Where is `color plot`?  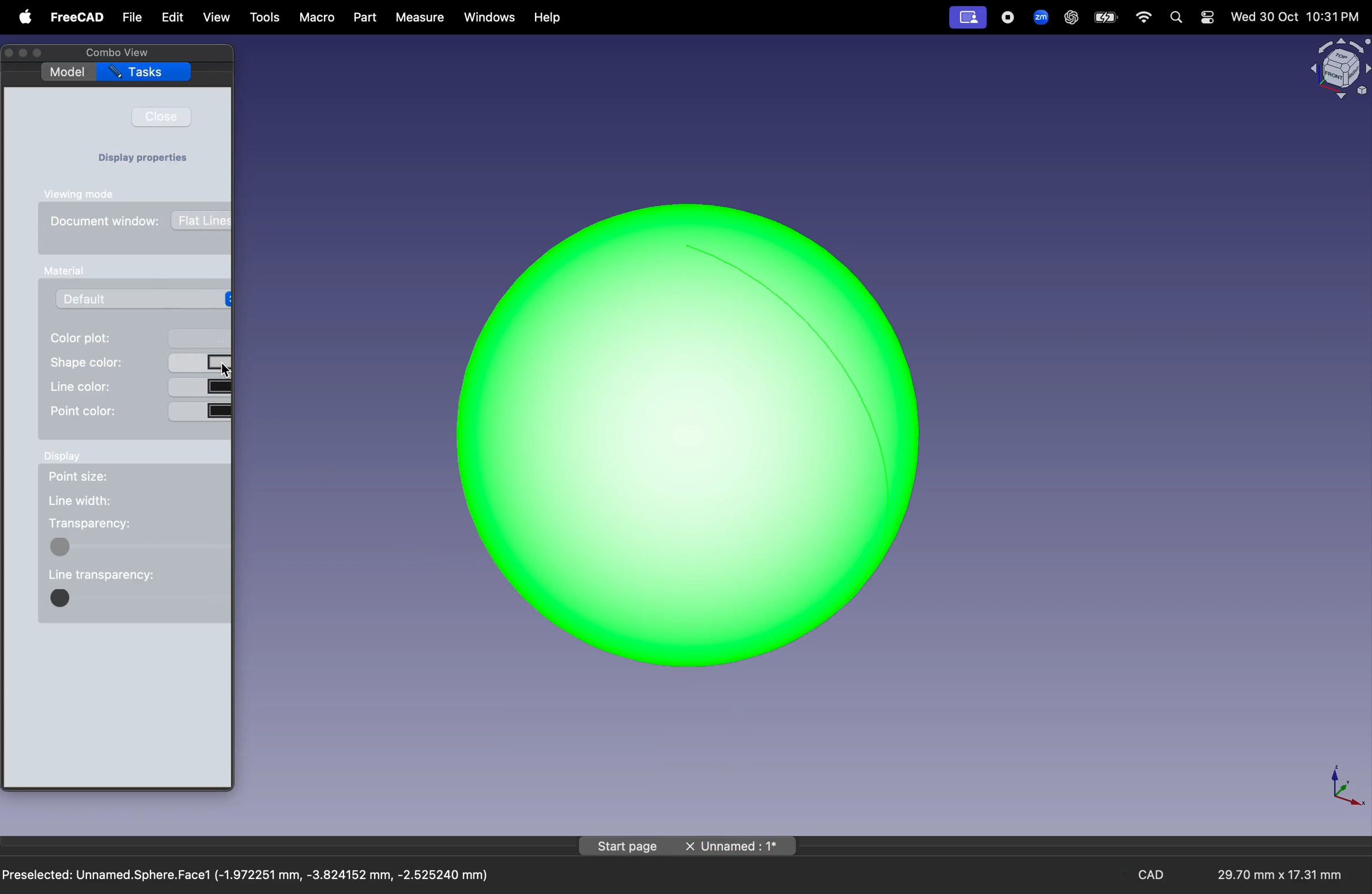 color plot is located at coordinates (136, 337).